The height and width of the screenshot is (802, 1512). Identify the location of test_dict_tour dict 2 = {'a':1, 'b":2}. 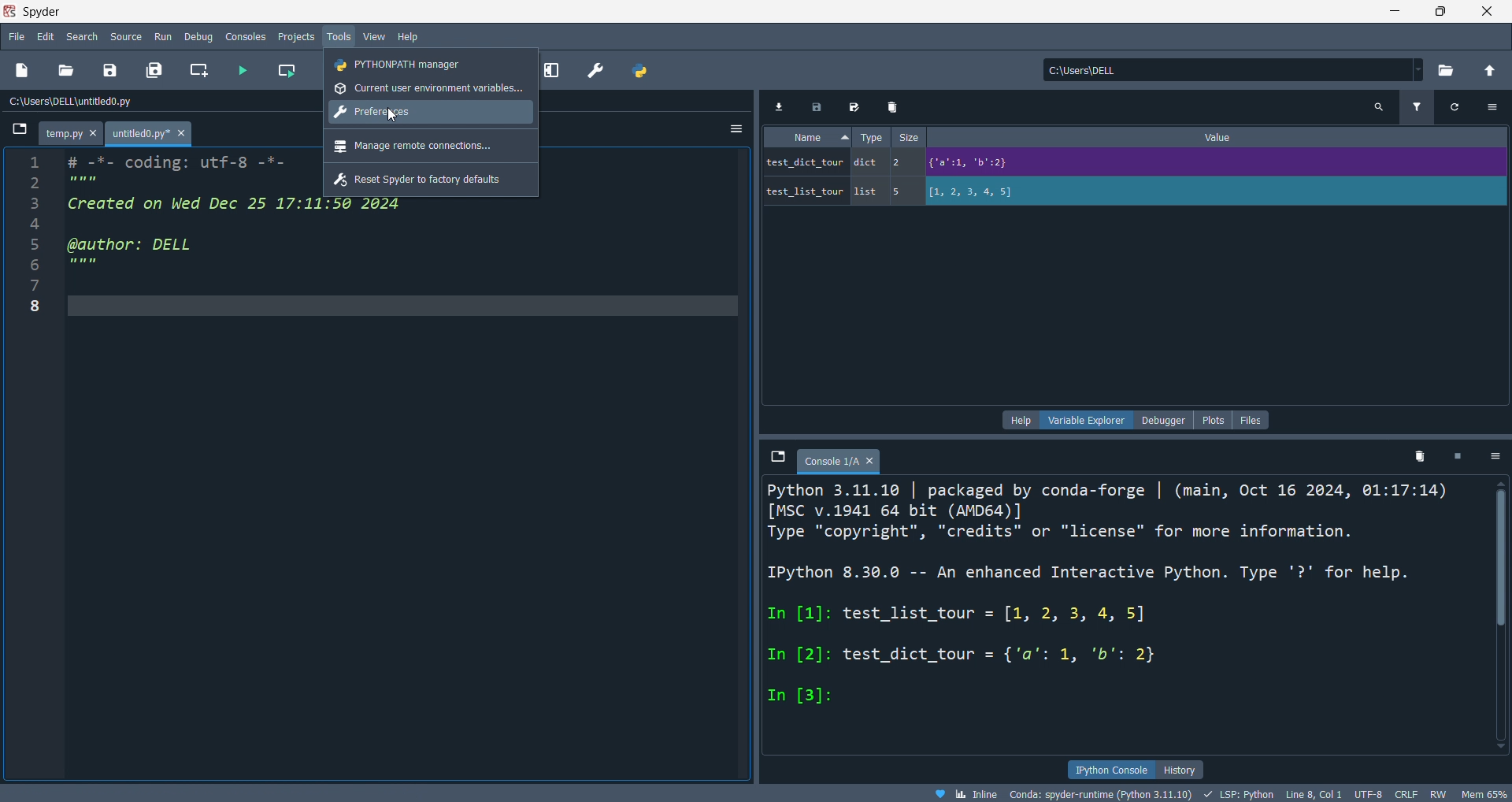
(996, 162).